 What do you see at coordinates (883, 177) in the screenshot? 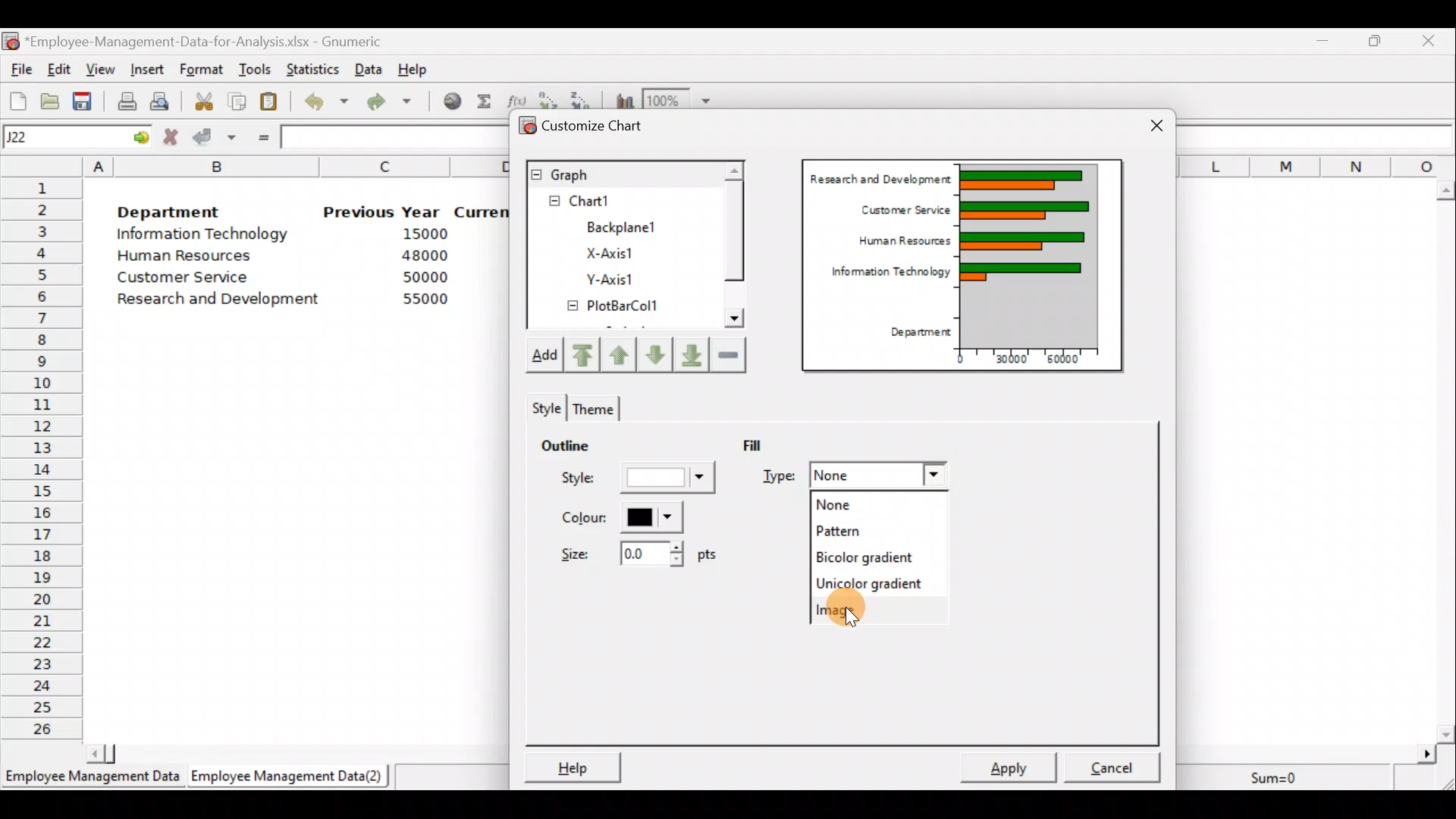
I see `Research and Development` at bounding box center [883, 177].